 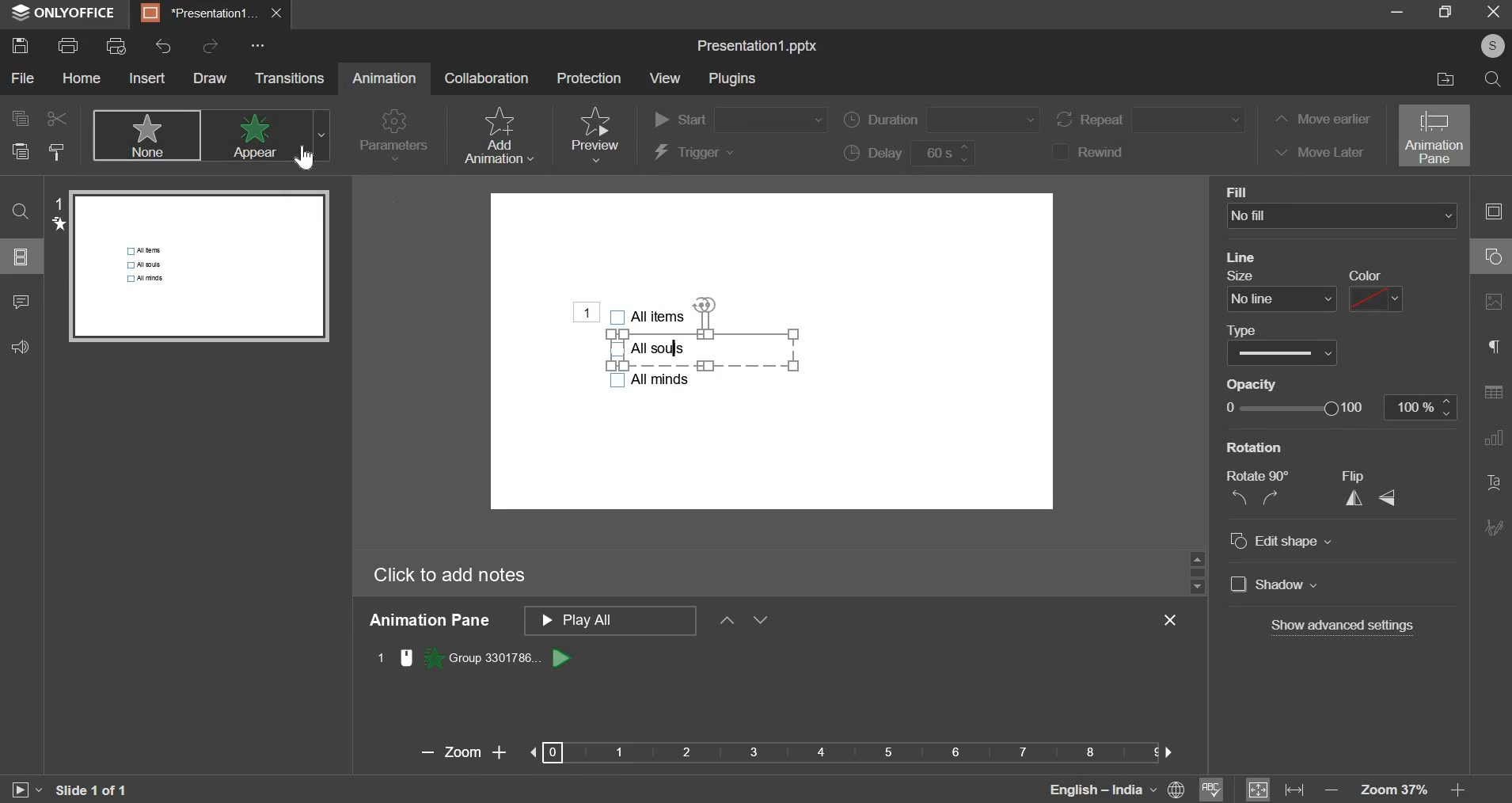 What do you see at coordinates (145, 135) in the screenshot?
I see `none` at bounding box center [145, 135].